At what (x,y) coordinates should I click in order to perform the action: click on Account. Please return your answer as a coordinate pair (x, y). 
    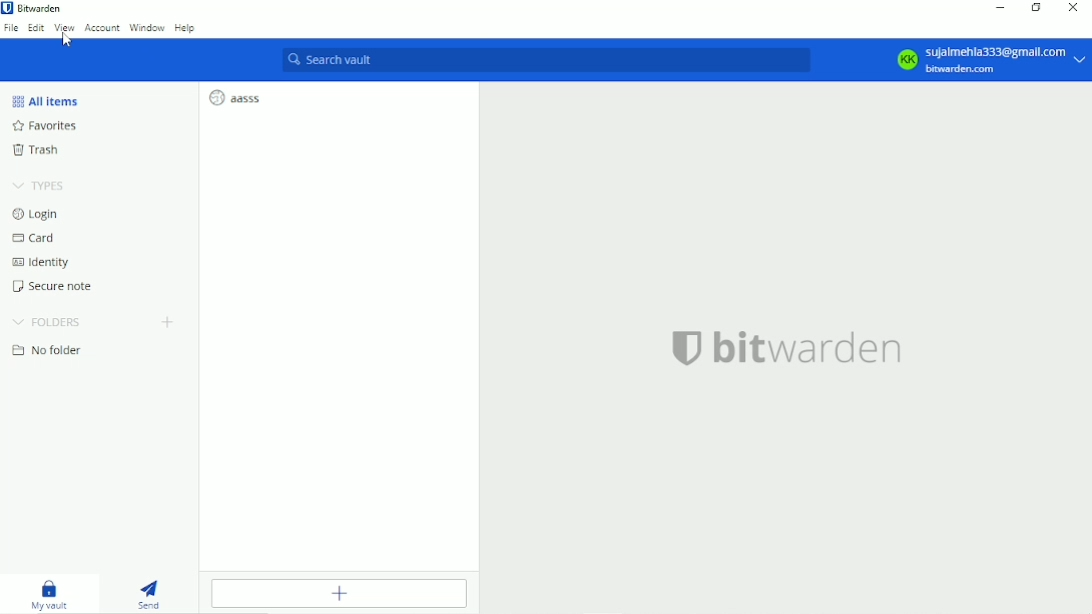
    Looking at the image, I should click on (102, 28).